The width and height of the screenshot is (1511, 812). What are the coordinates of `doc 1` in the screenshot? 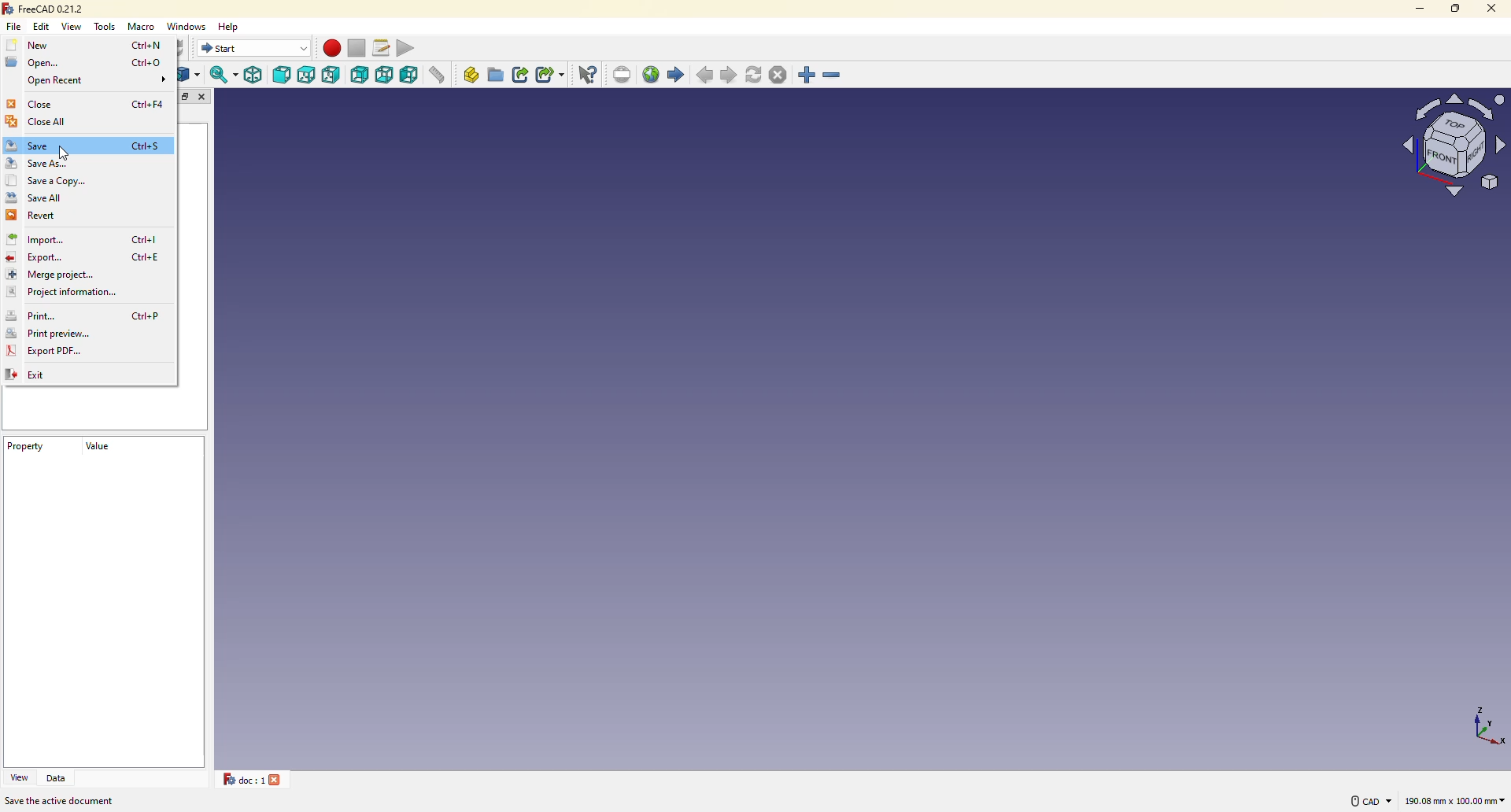 It's located at (238, 779).